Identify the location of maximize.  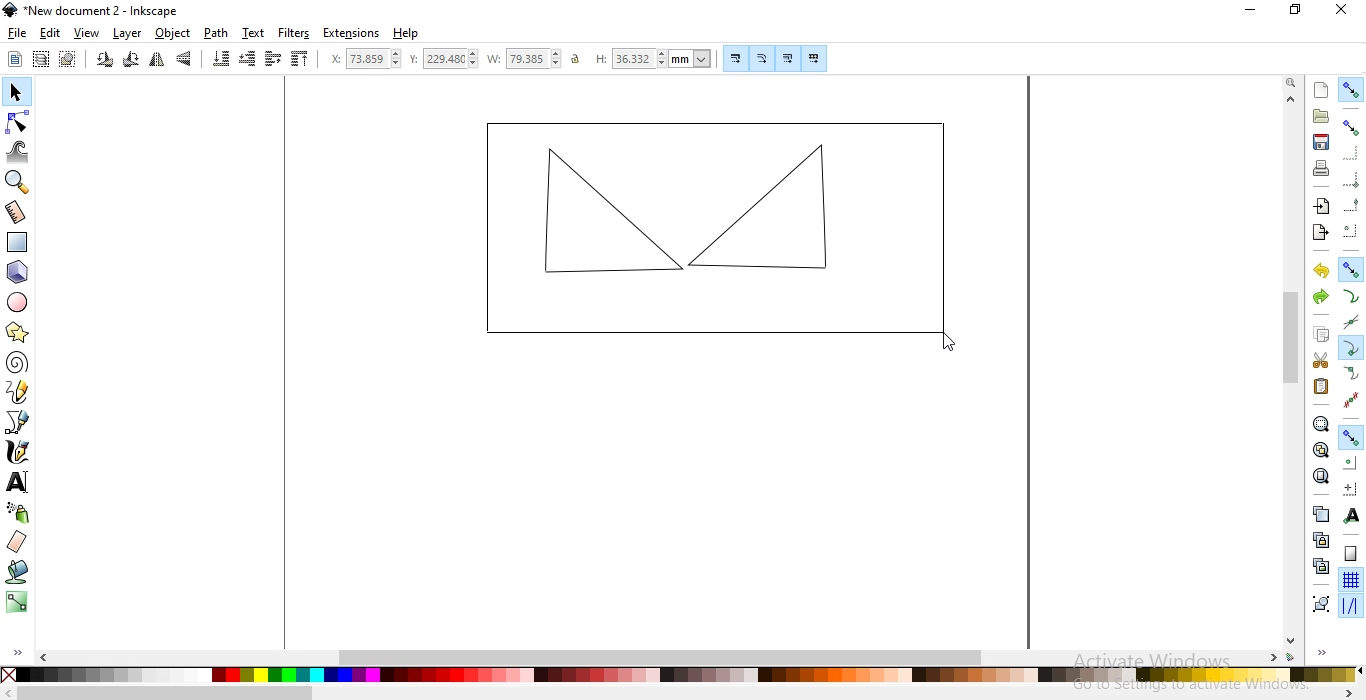
(1294, 12).